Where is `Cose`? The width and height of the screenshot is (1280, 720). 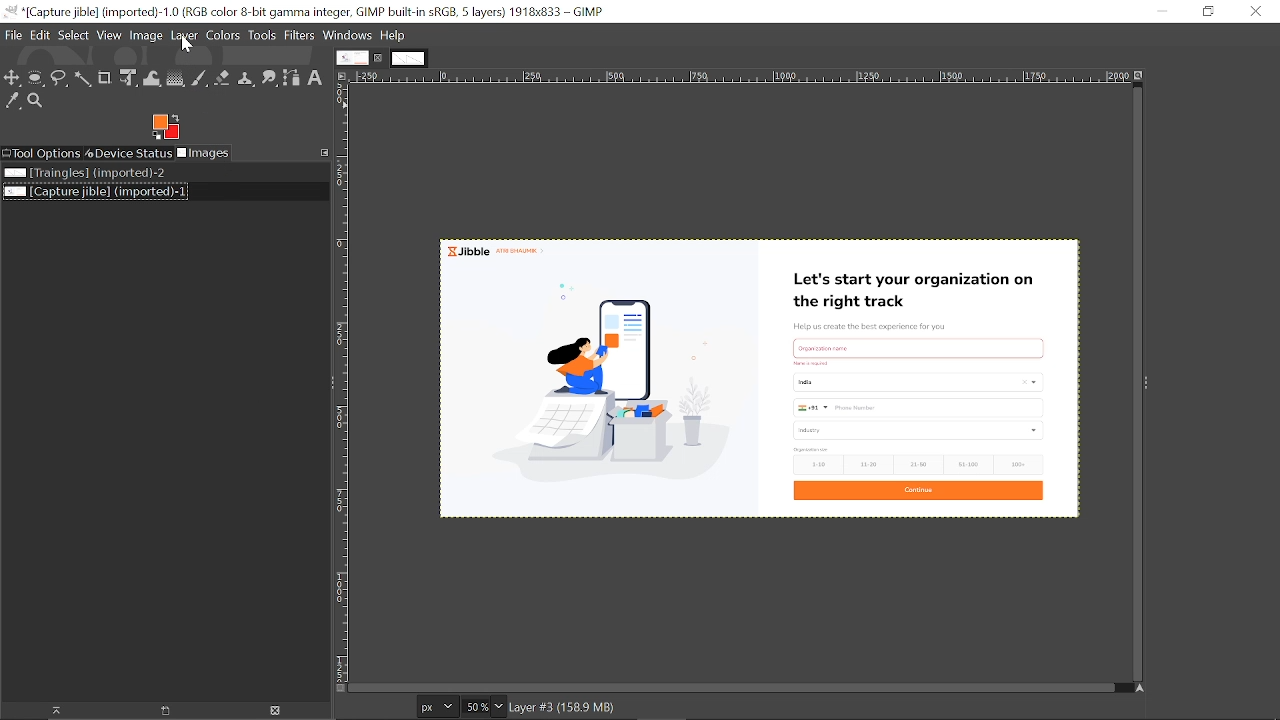 Cose is located at coordinates (1255, 11).